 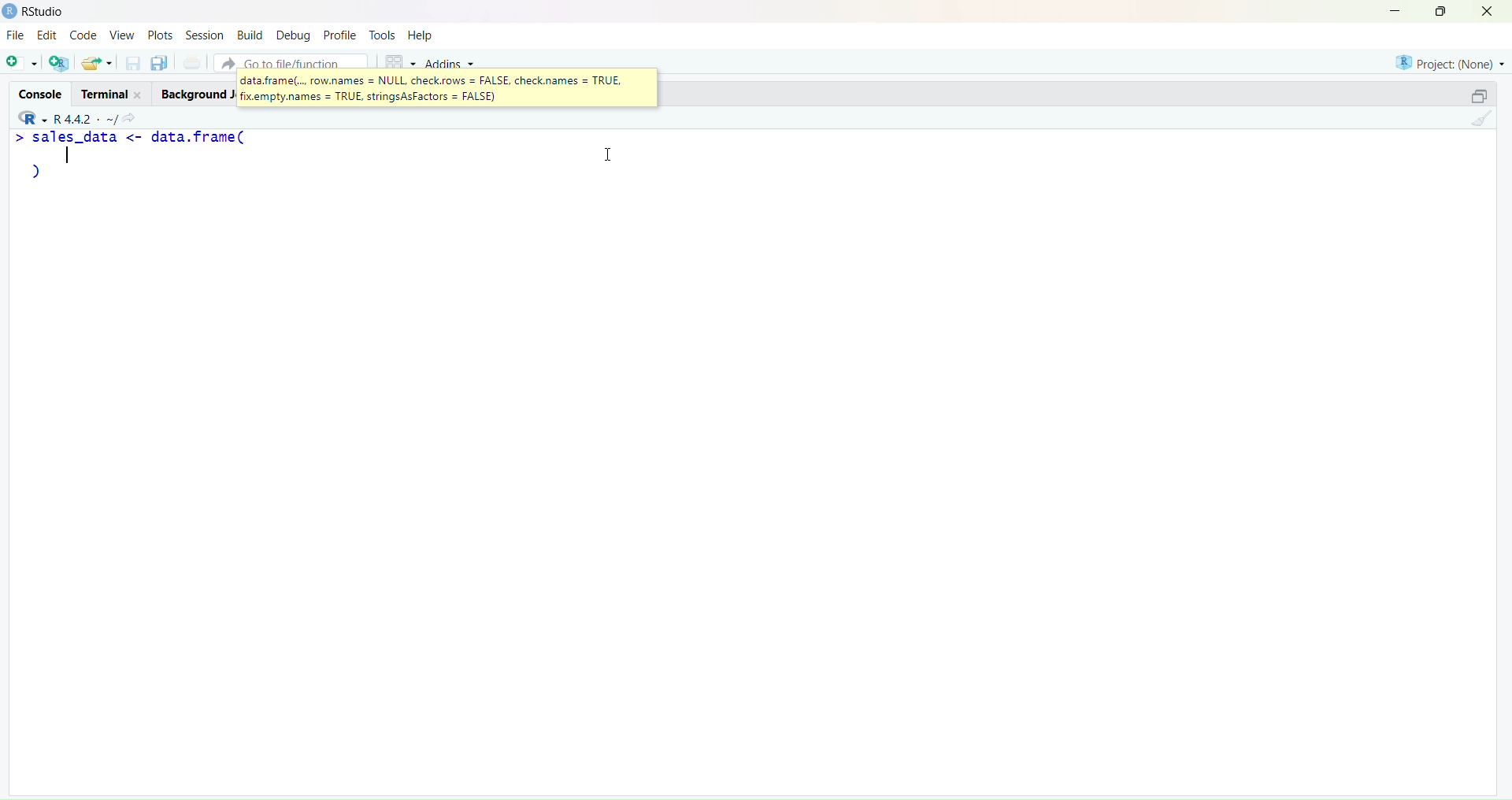 I want to click on View, so click(x=124, y=36).